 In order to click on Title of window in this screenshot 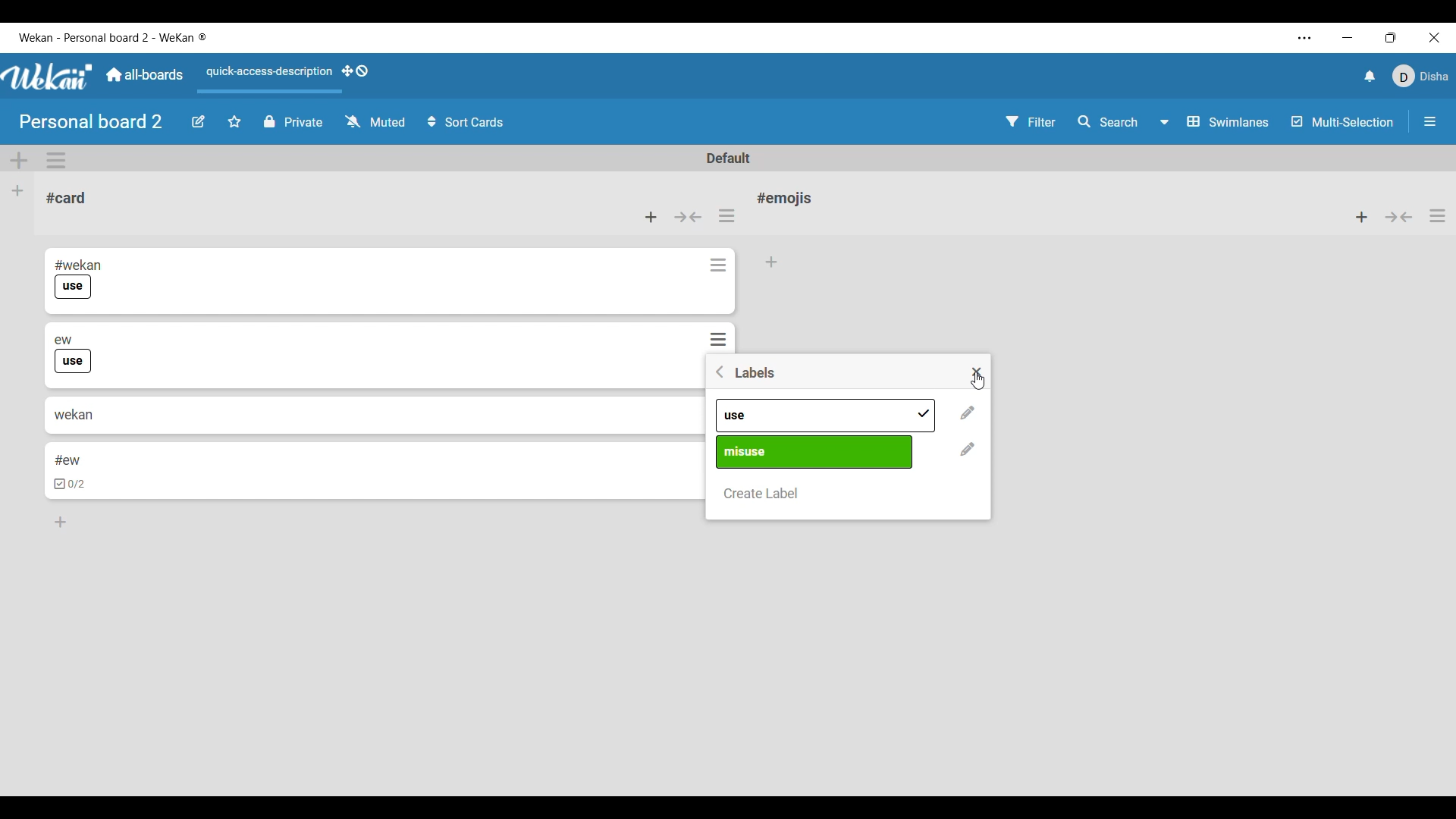, I will do `click(755, 371)`.